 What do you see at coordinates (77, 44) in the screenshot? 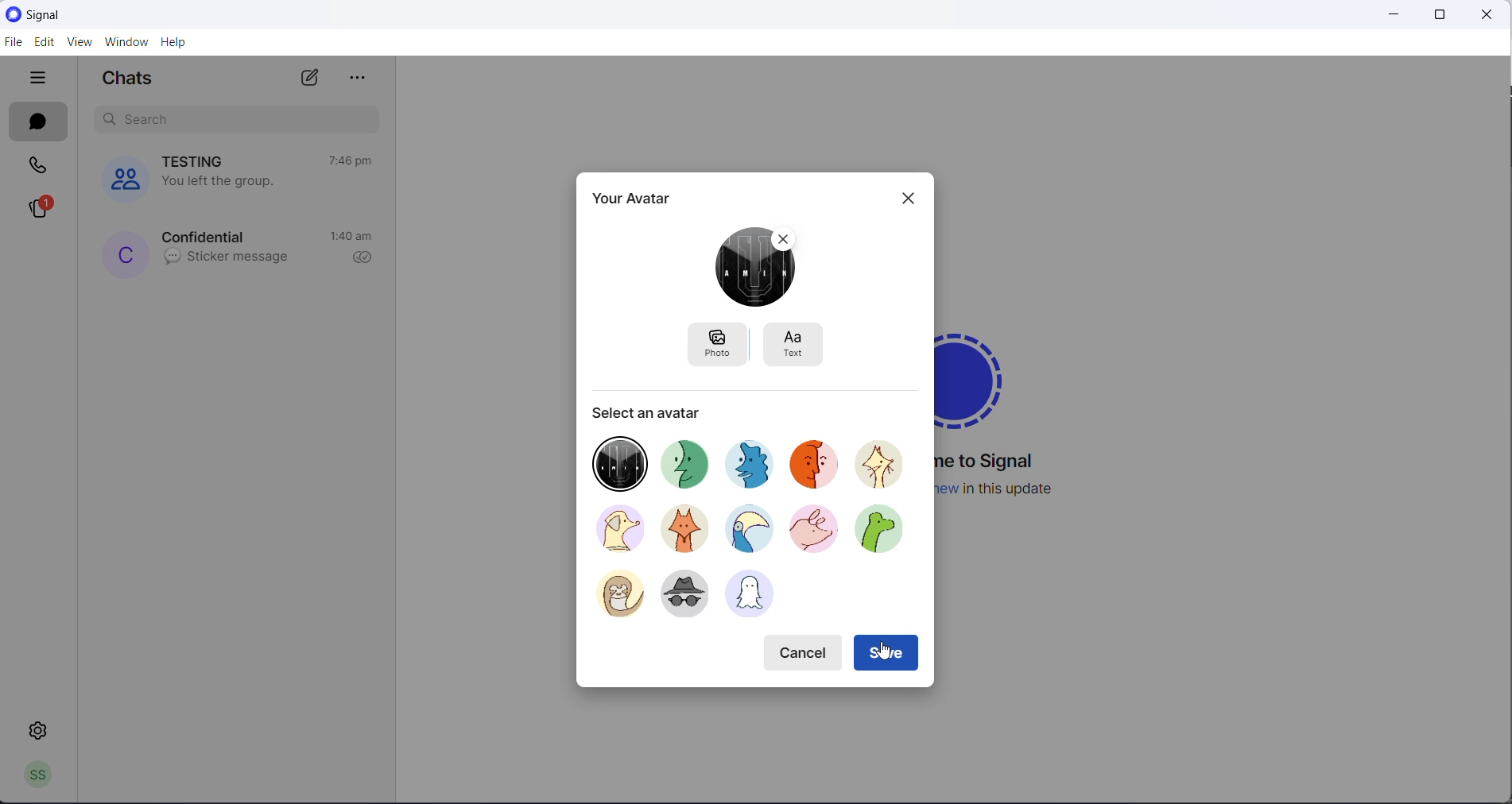
I see `VIEW` at bounding box center [77, 44].